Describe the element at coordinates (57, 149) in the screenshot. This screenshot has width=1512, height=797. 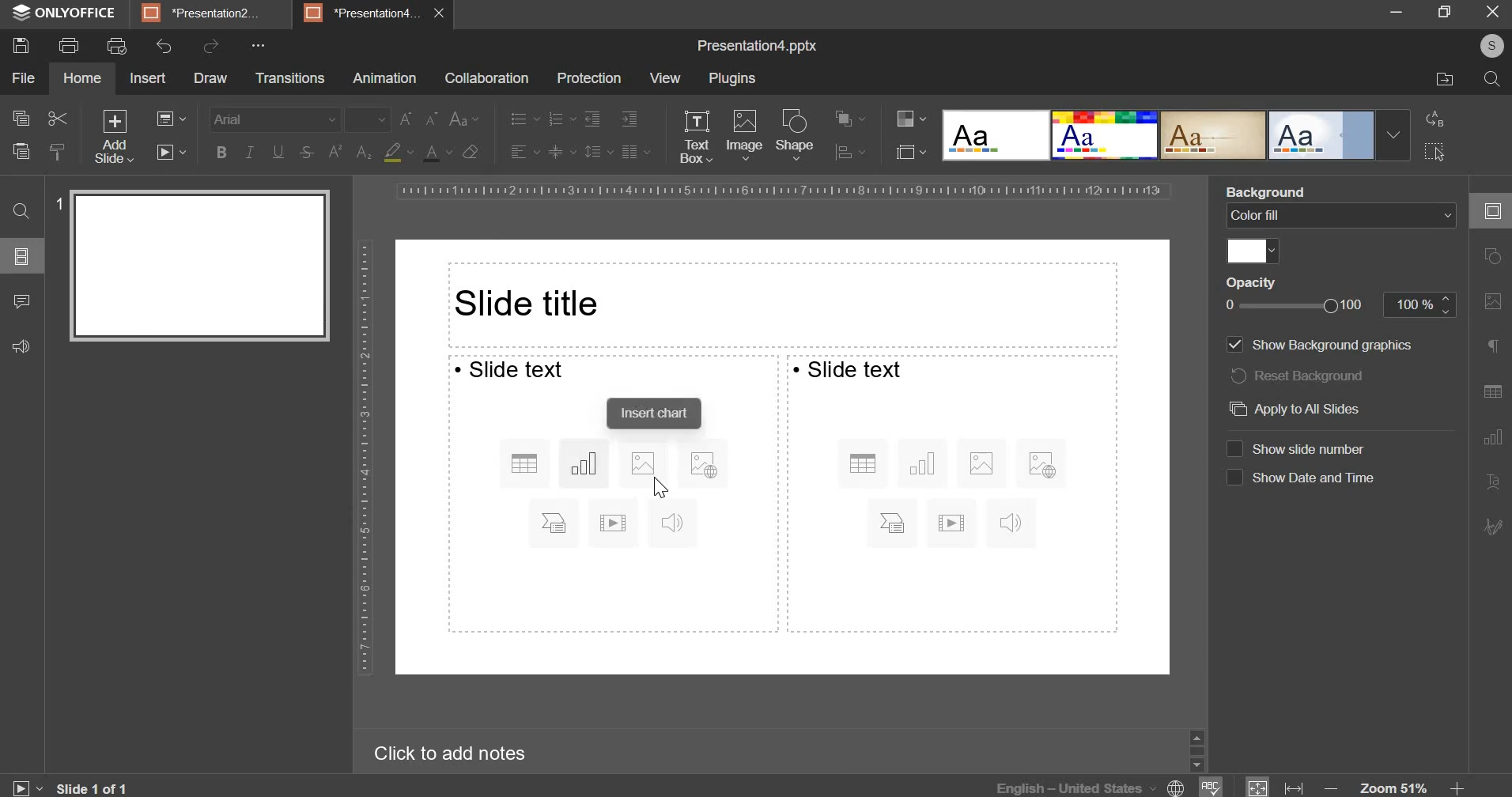
I see `copy style` at that location.